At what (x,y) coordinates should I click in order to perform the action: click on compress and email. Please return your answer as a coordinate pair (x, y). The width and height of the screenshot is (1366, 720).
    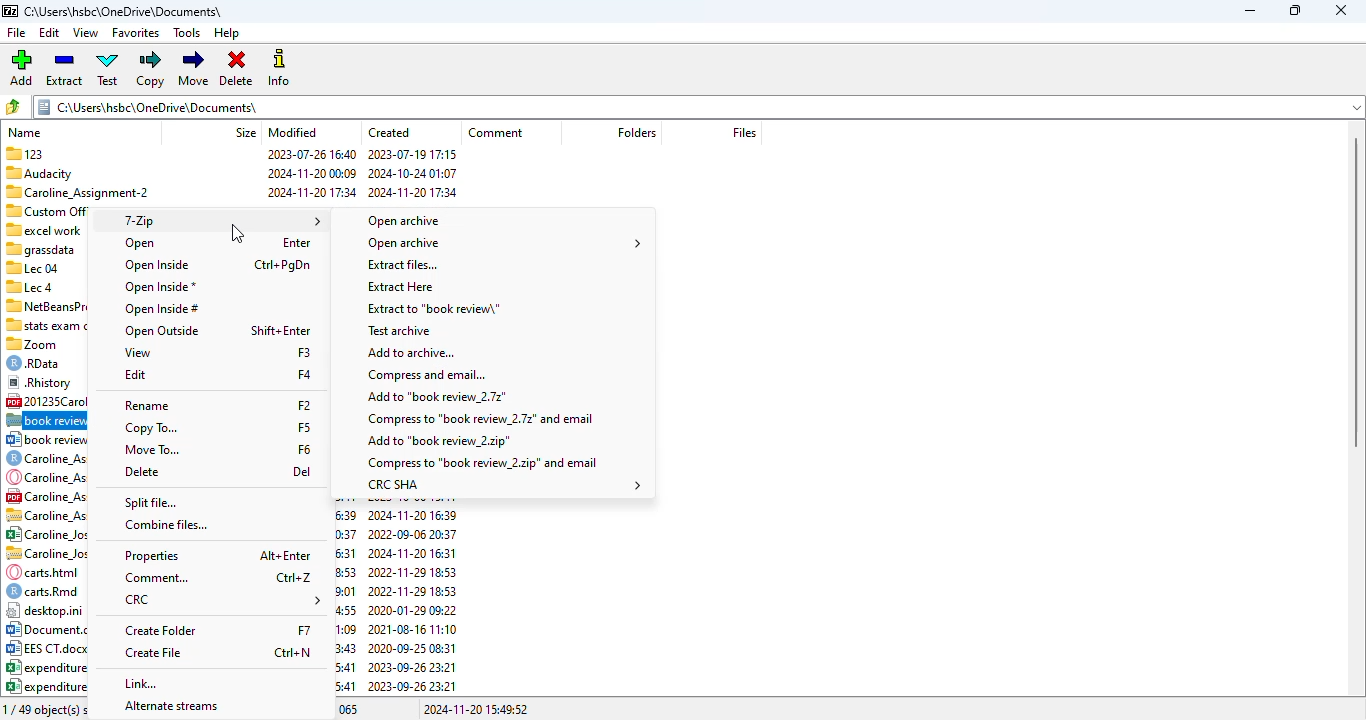
    Looking at the image, I should click on (423, 374).